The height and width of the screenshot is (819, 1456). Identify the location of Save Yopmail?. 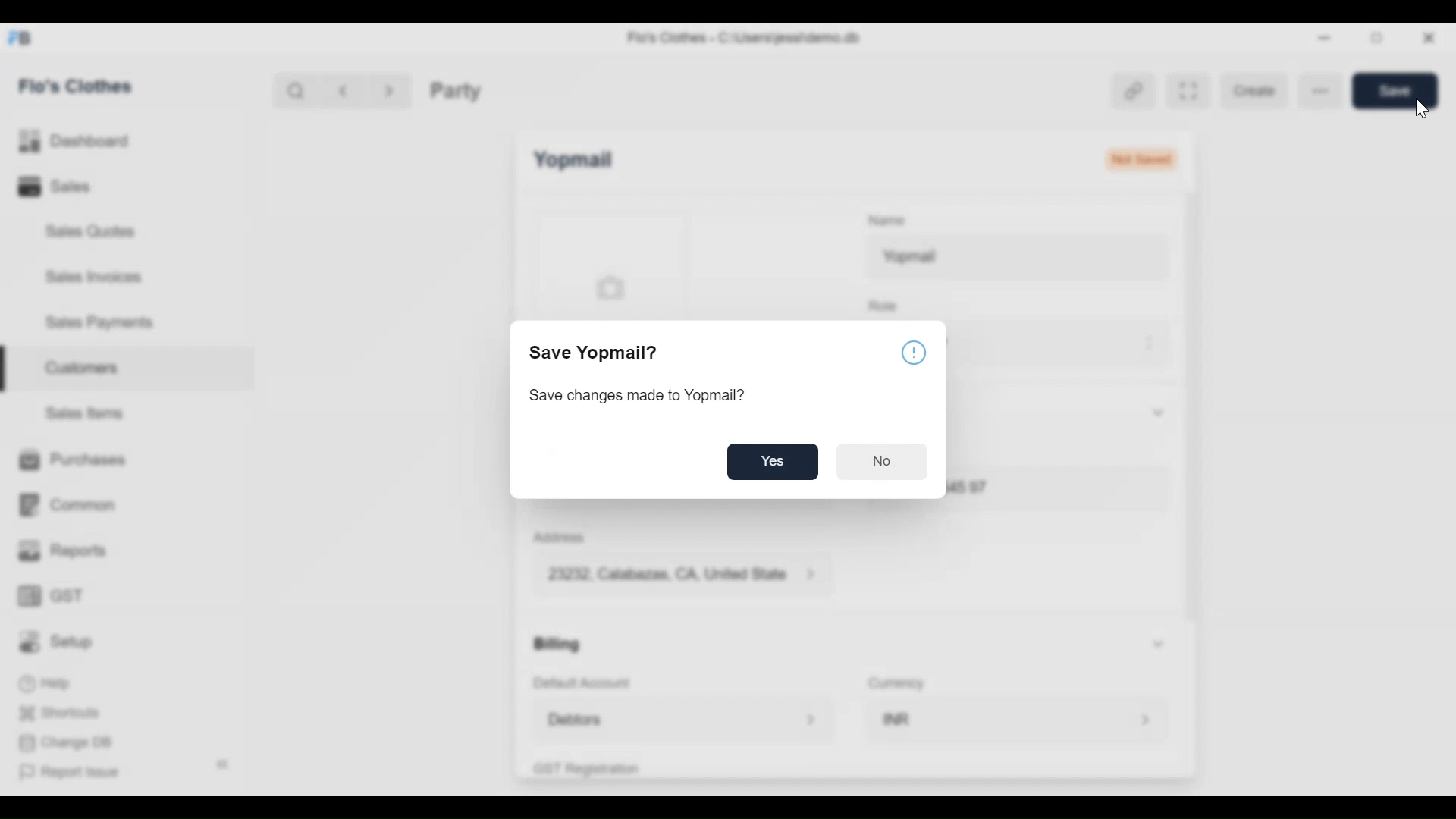
(597, 353).